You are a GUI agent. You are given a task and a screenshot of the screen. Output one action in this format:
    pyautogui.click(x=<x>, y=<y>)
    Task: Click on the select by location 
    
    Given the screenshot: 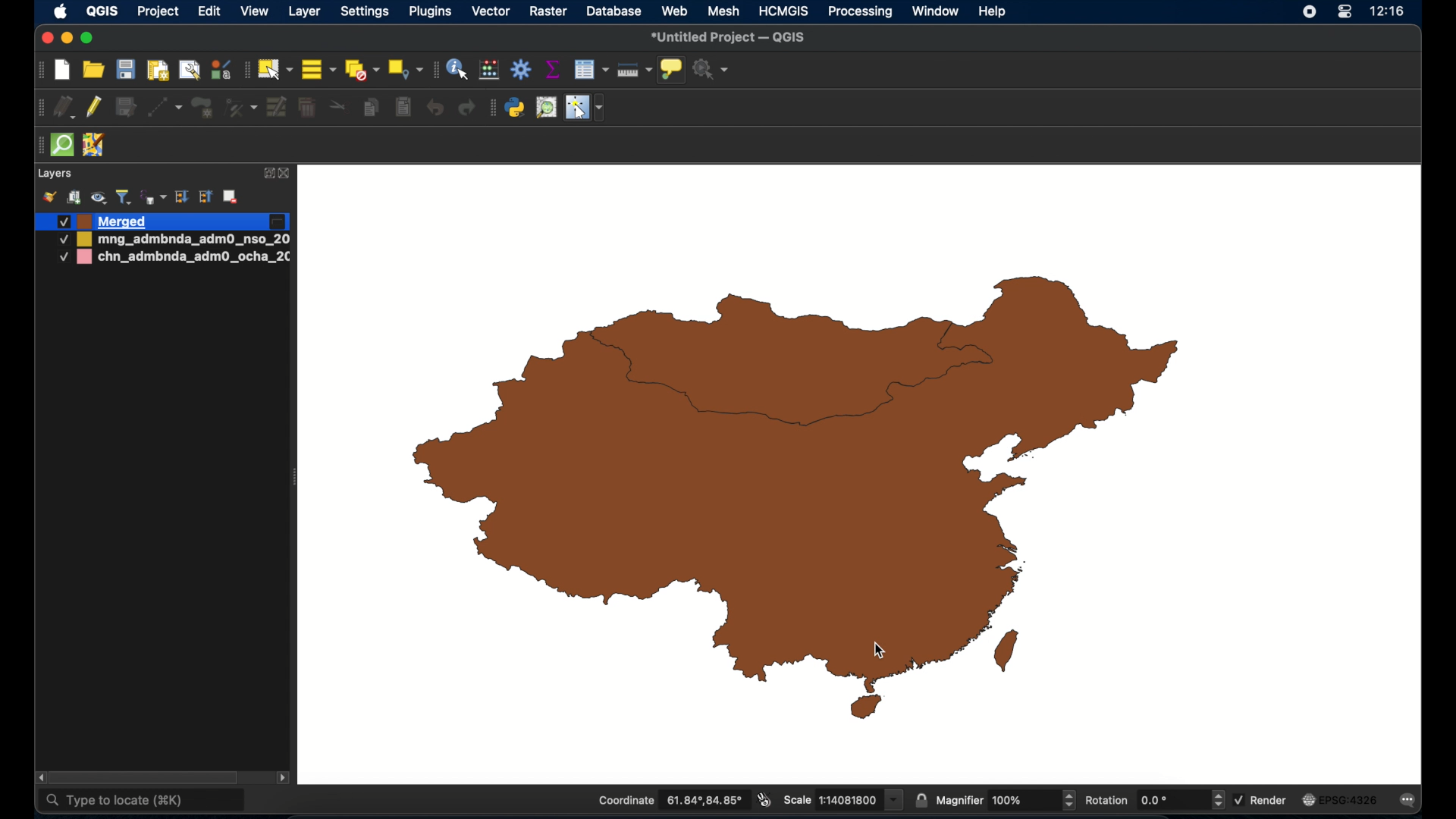 What is the action you would take?
    pyautogui.click(x=405, y=68)
    